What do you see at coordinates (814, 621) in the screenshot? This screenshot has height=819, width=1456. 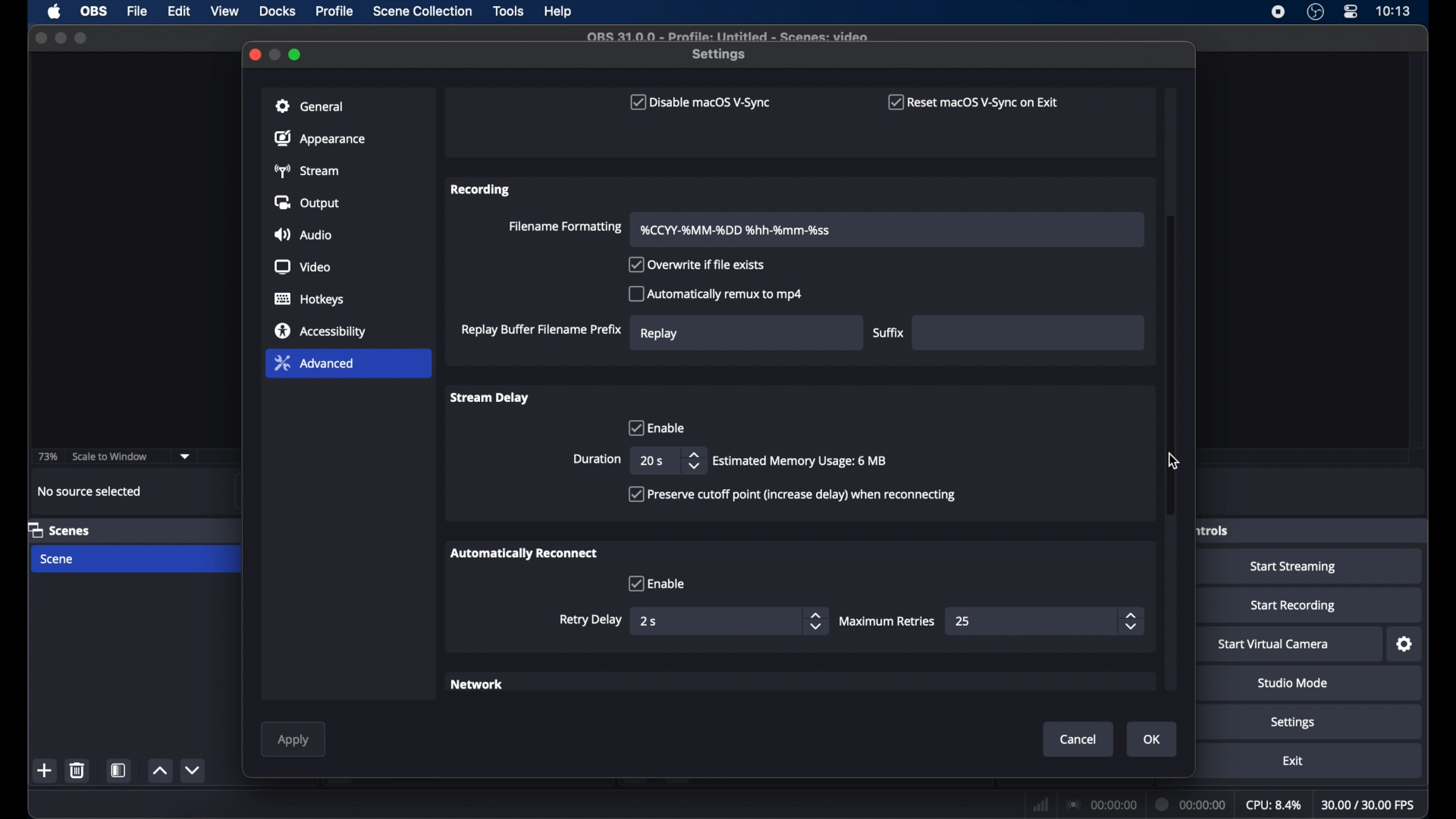 I see `stepper buttons` at bounding box center [814, 621].